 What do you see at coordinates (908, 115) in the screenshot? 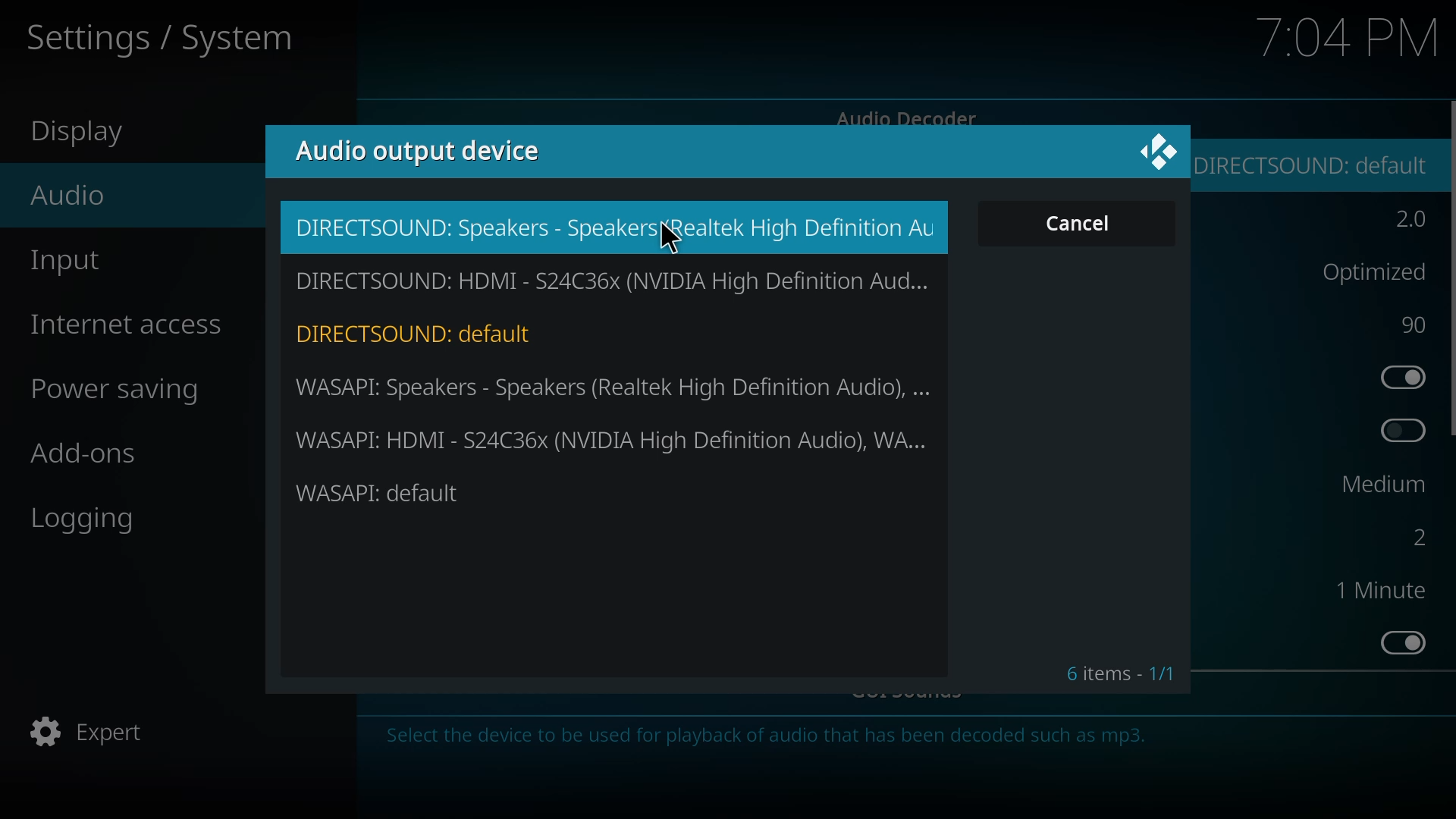
I see `audio decoder` at bounding box center [908, 115].